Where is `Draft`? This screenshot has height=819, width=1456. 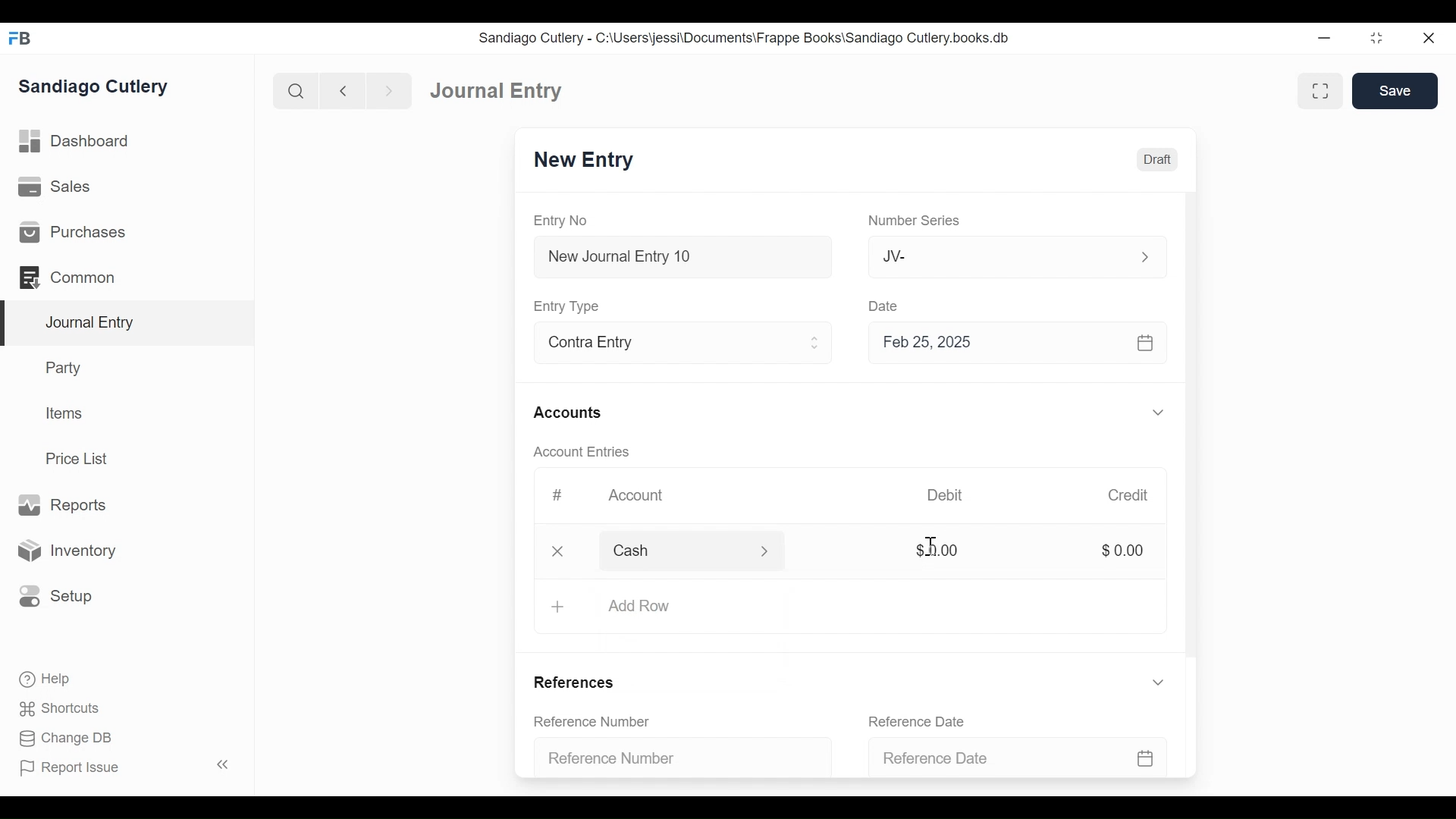 Draft is located at coordinates (1158, 160).